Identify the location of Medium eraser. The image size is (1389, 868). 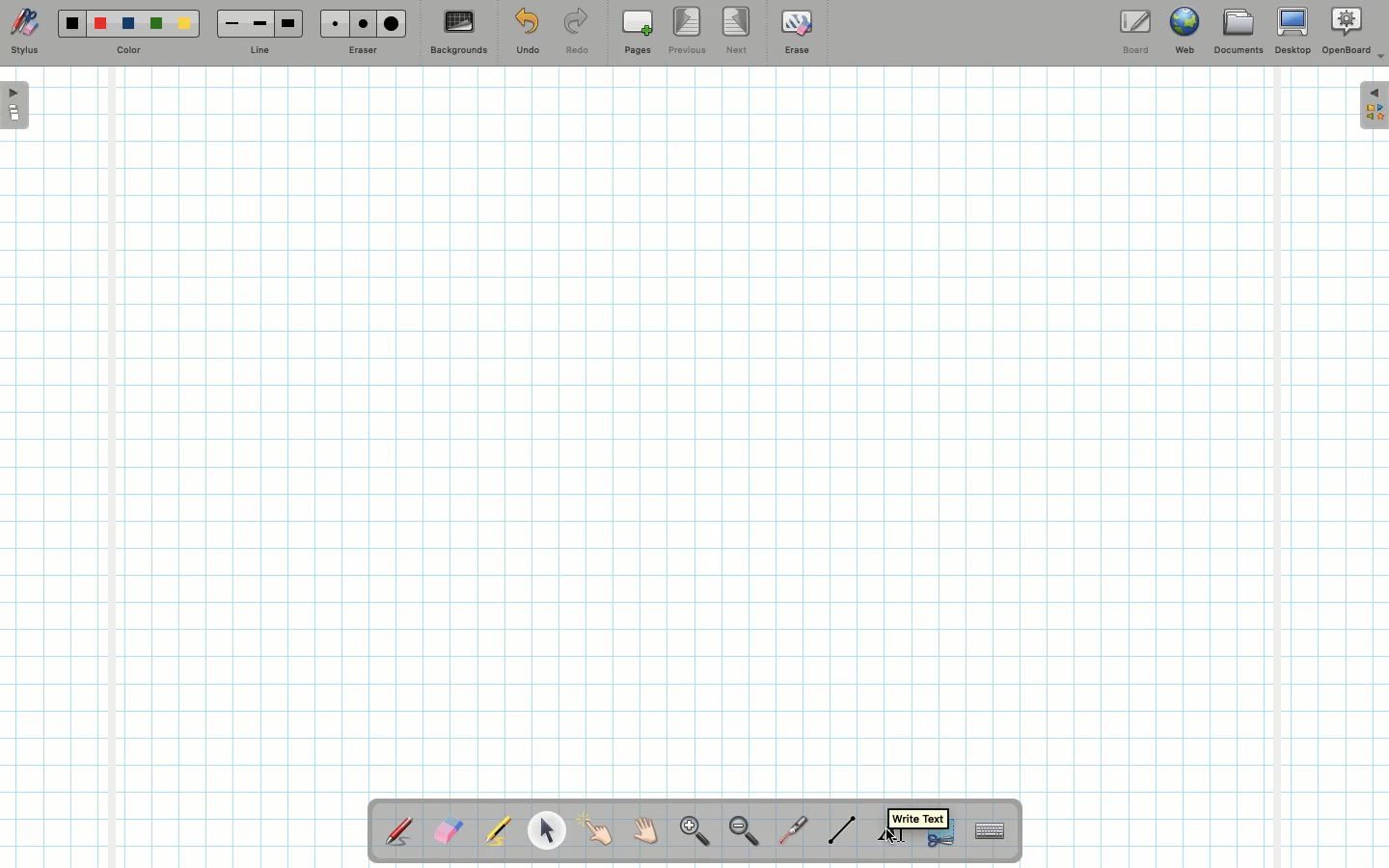
(360, 23).